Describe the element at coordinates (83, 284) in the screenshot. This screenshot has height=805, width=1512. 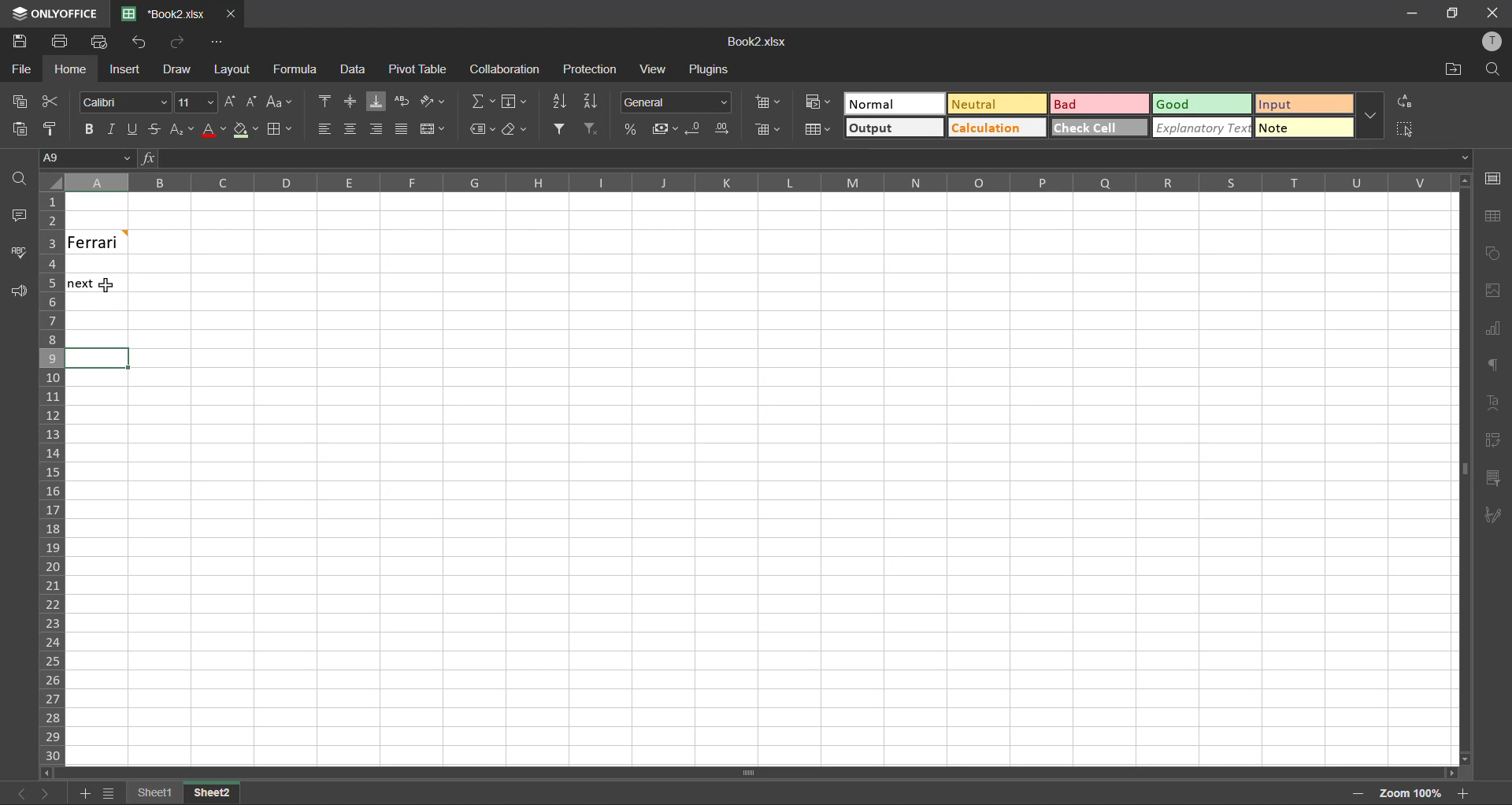
I see `next` at that location.